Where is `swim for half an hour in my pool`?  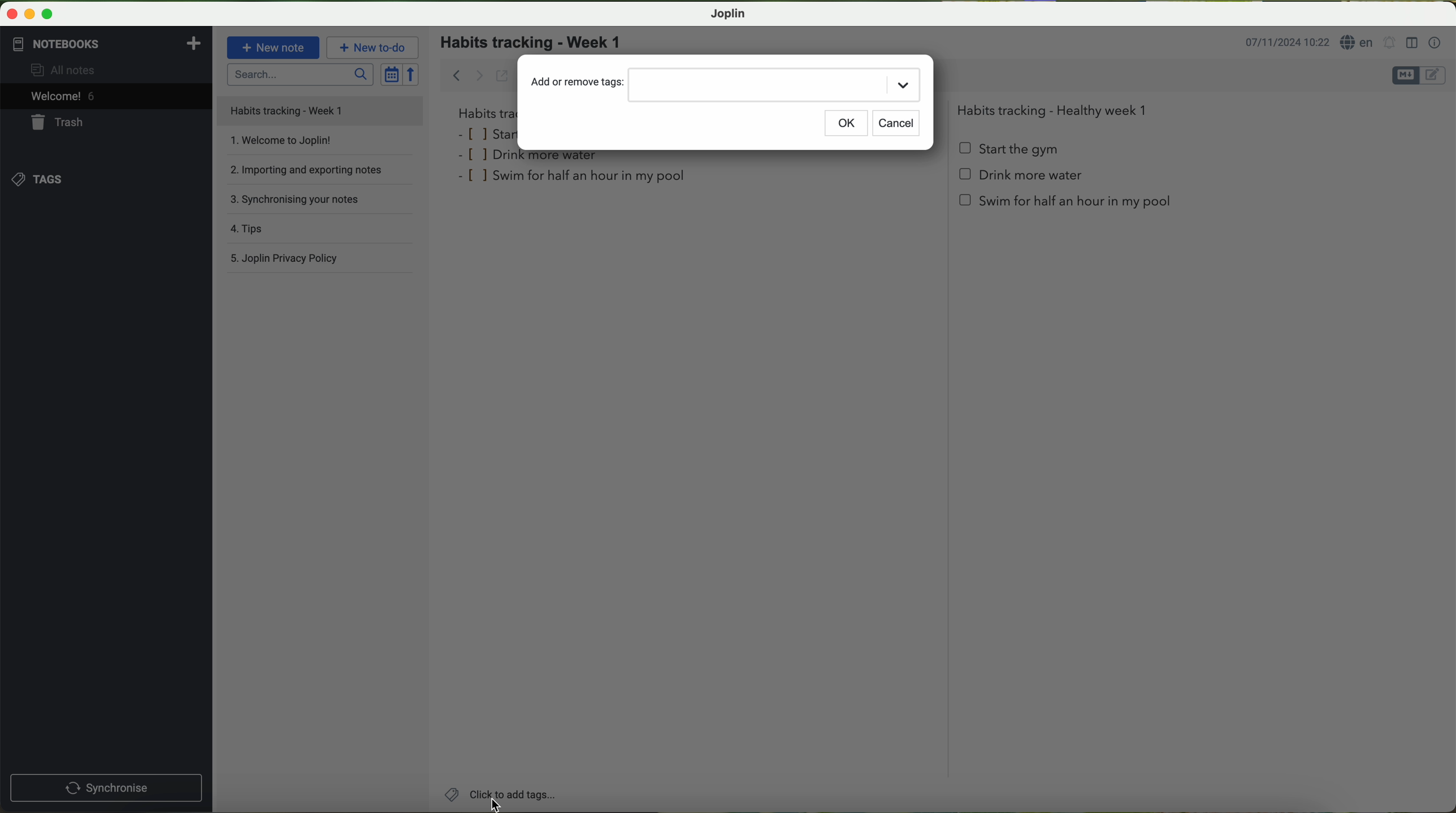
swim for half an hour in my pool is located at coordinates (574, 178).